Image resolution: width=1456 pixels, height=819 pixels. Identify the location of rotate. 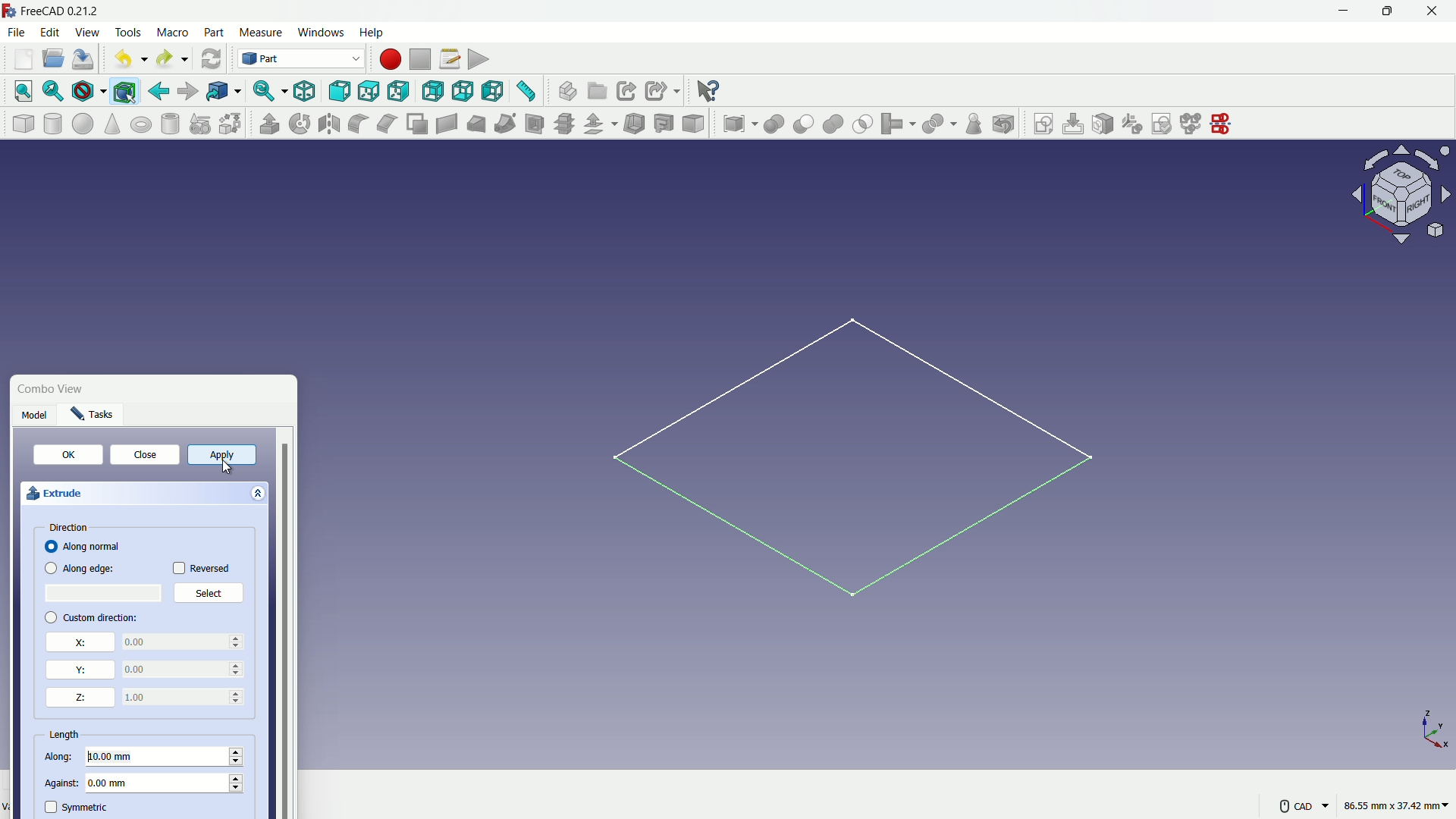
(301, 123).